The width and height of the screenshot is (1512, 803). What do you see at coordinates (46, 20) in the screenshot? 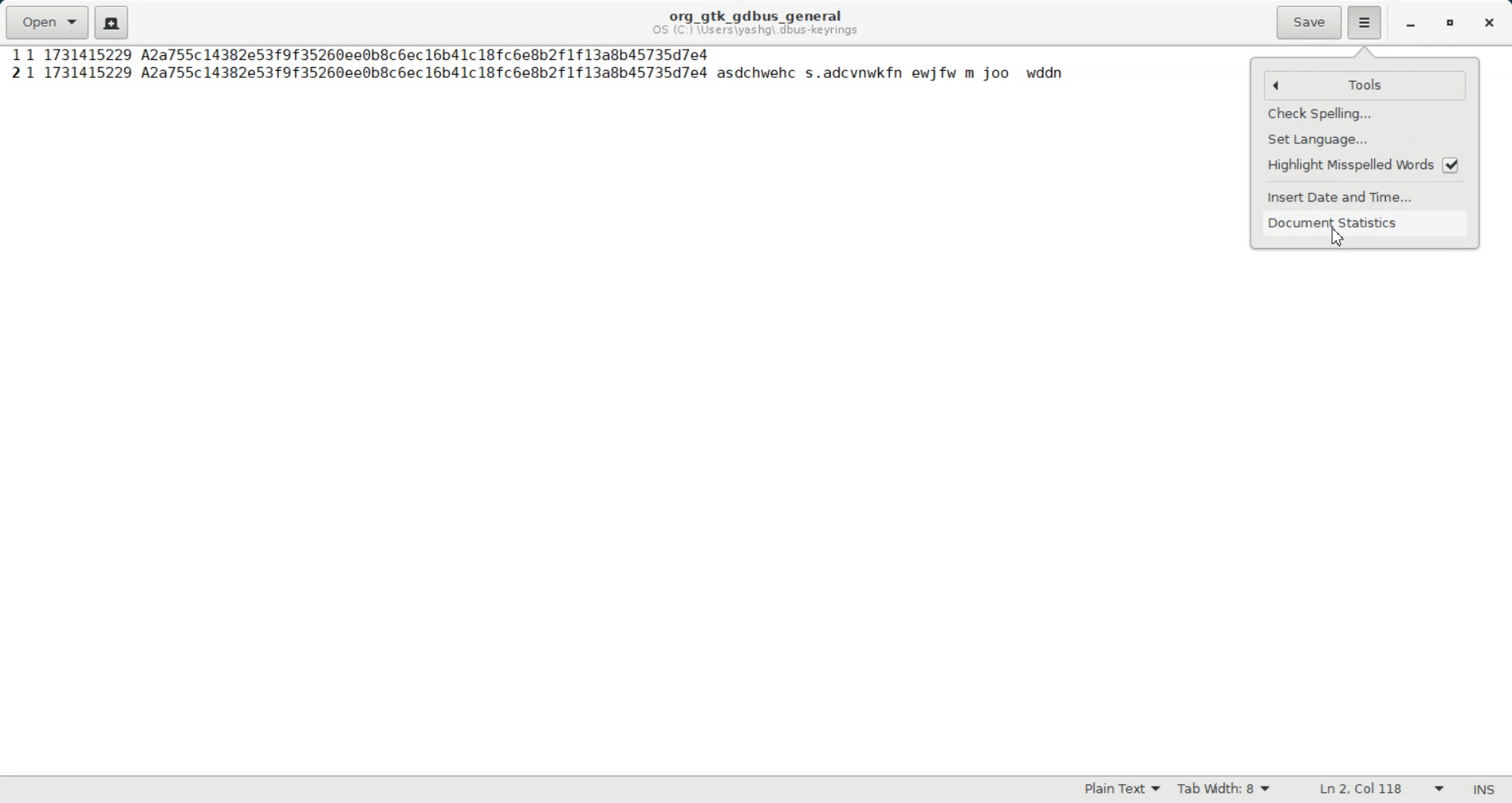
I see `Open` at bounding box center [46, 20].